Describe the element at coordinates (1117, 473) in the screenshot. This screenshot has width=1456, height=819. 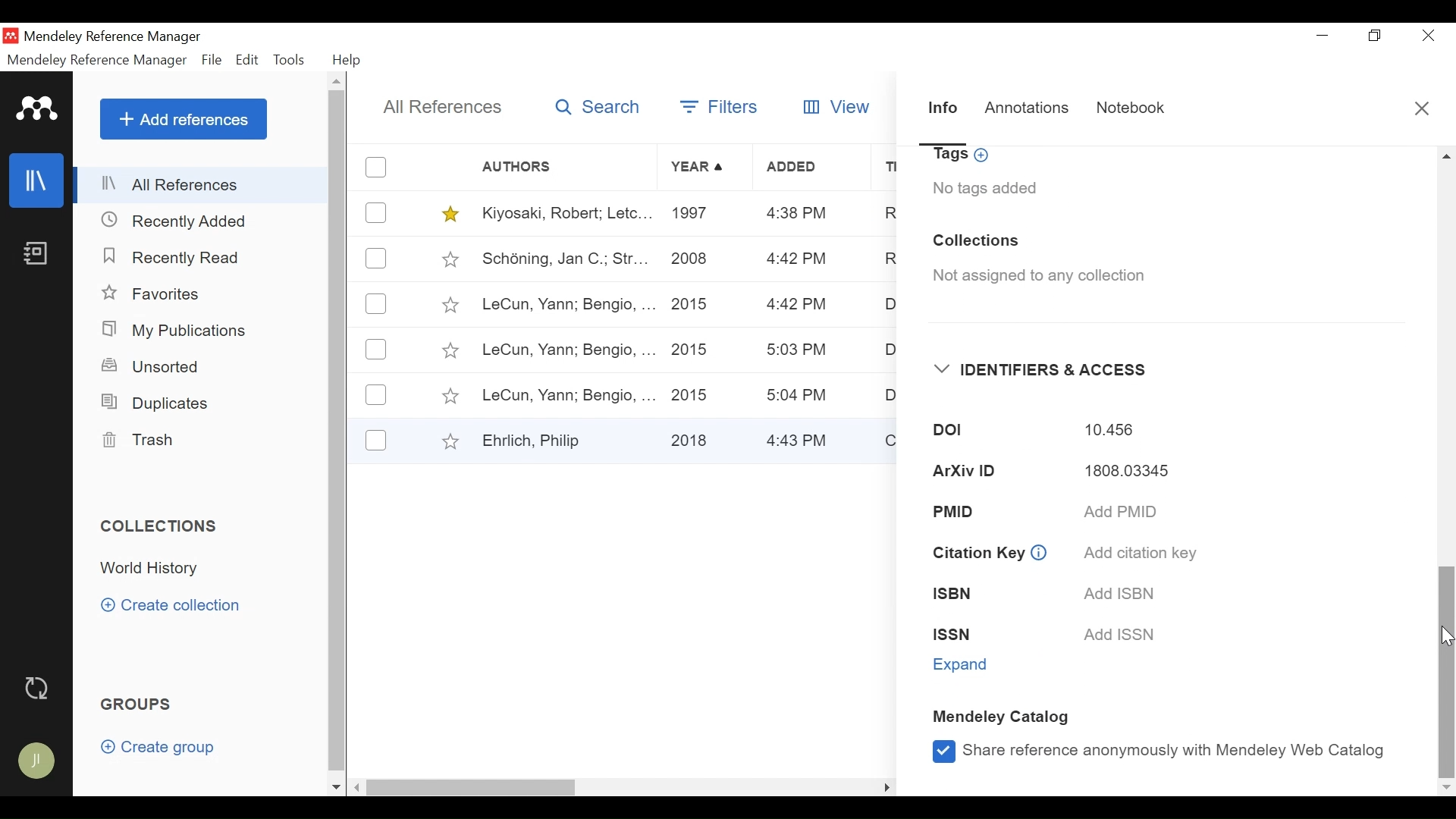
I see `1808.03345` at that location.